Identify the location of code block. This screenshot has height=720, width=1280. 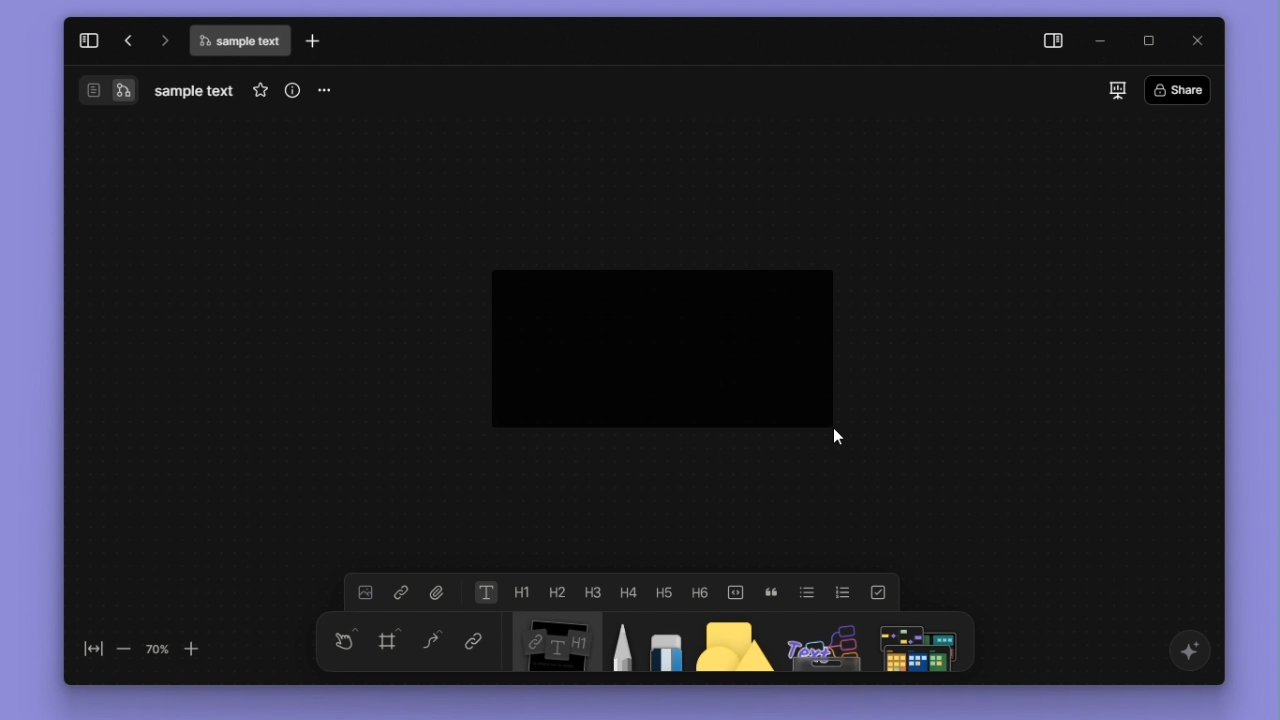
(736, 590).